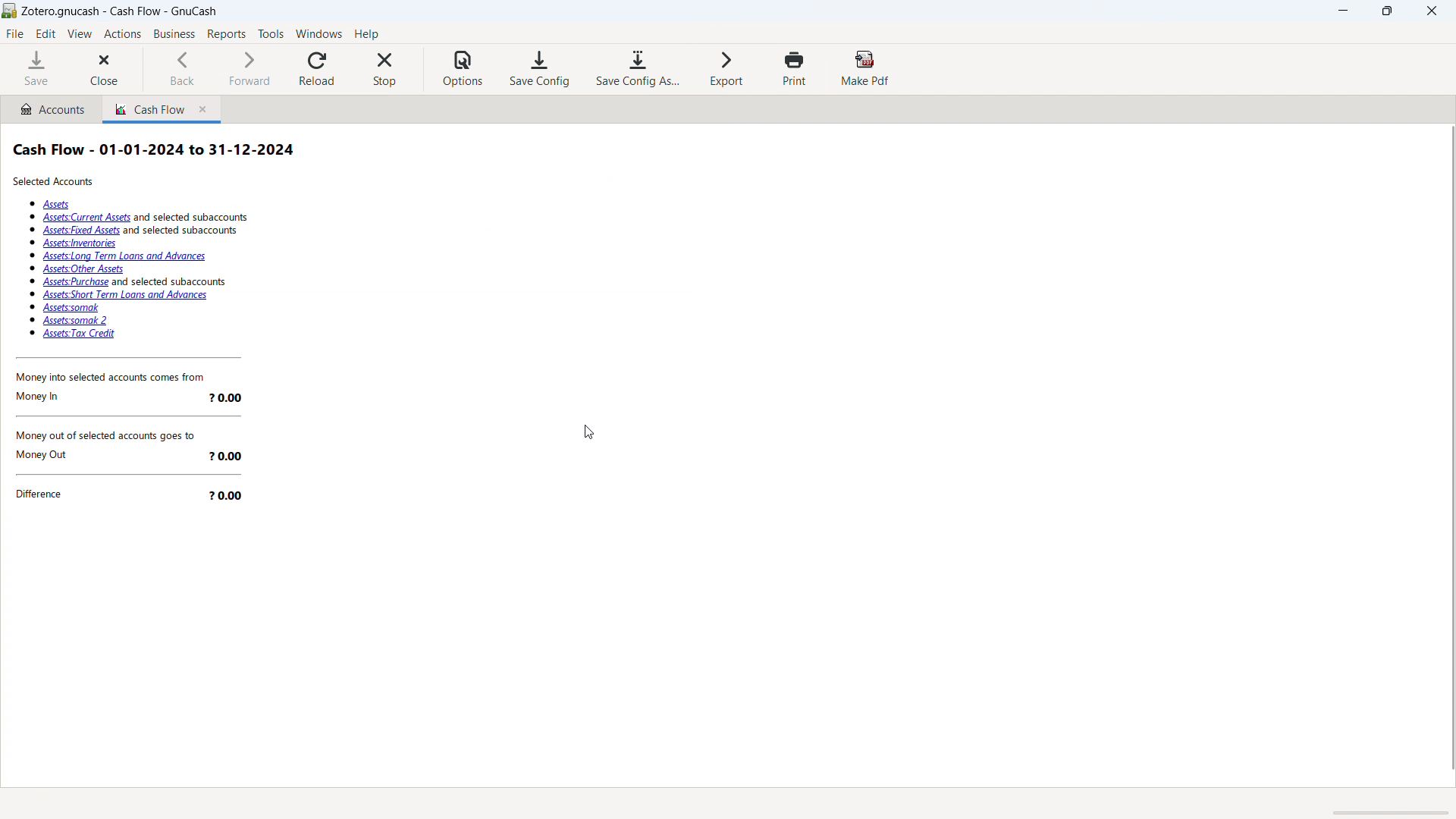  Describe the element at coordinates (129, 432) in the screenshot. I see `Money out of selected accounts goes to` at that location.